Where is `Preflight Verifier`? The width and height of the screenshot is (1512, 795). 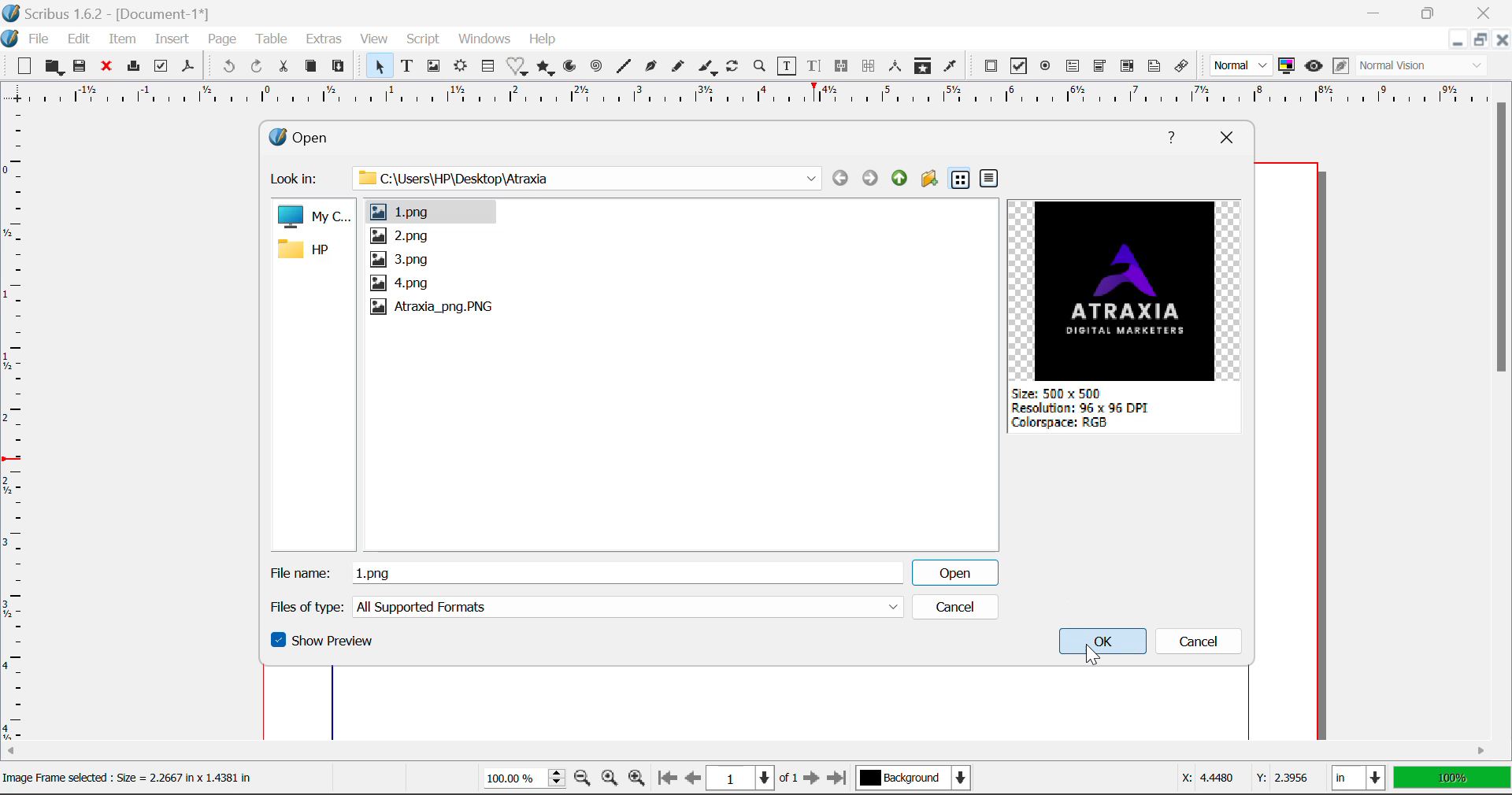
Preflight Verifier is located at coordinates (162, 70).